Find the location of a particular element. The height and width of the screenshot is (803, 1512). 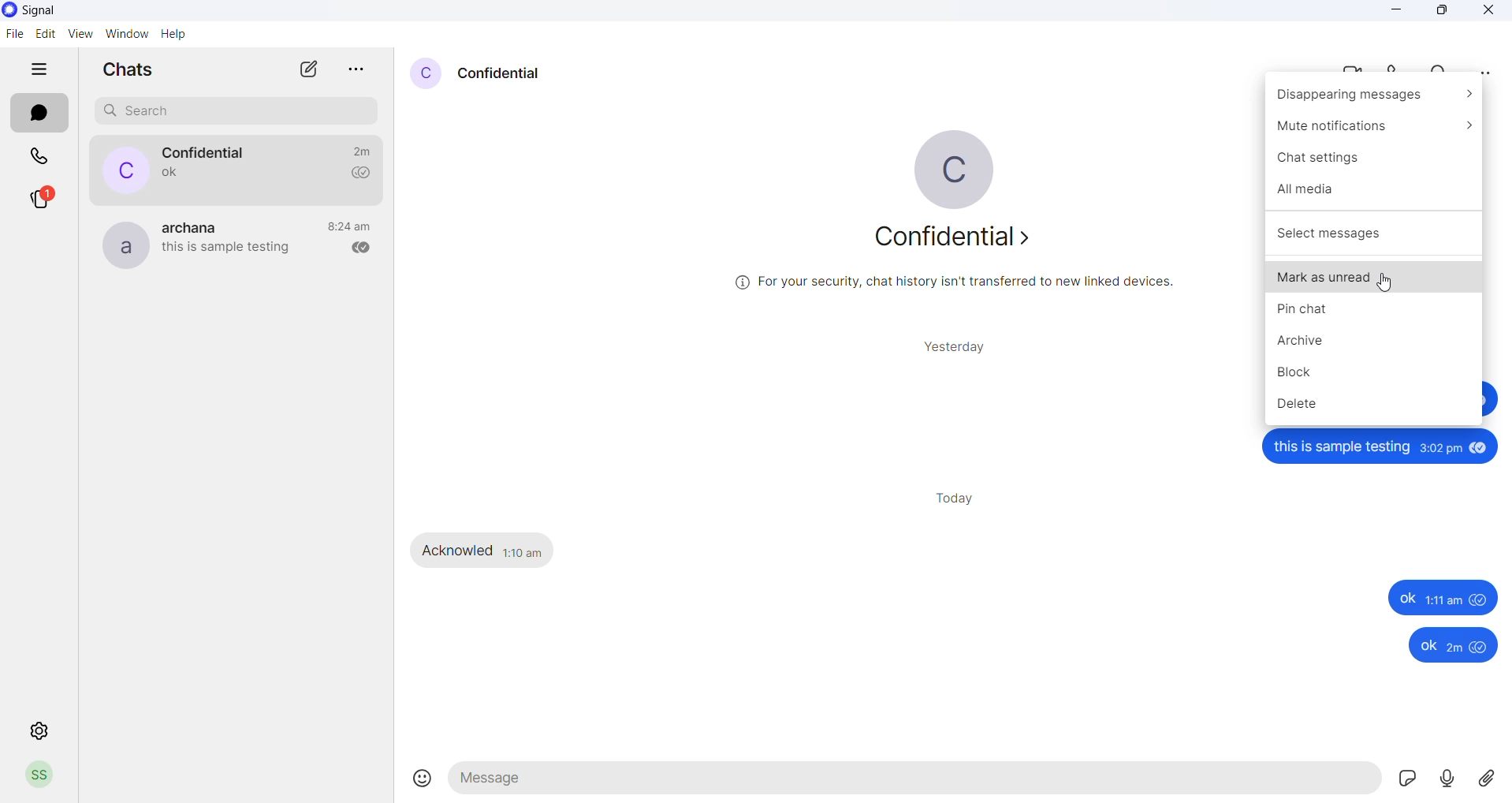

help is located at coordinates (172, 33).